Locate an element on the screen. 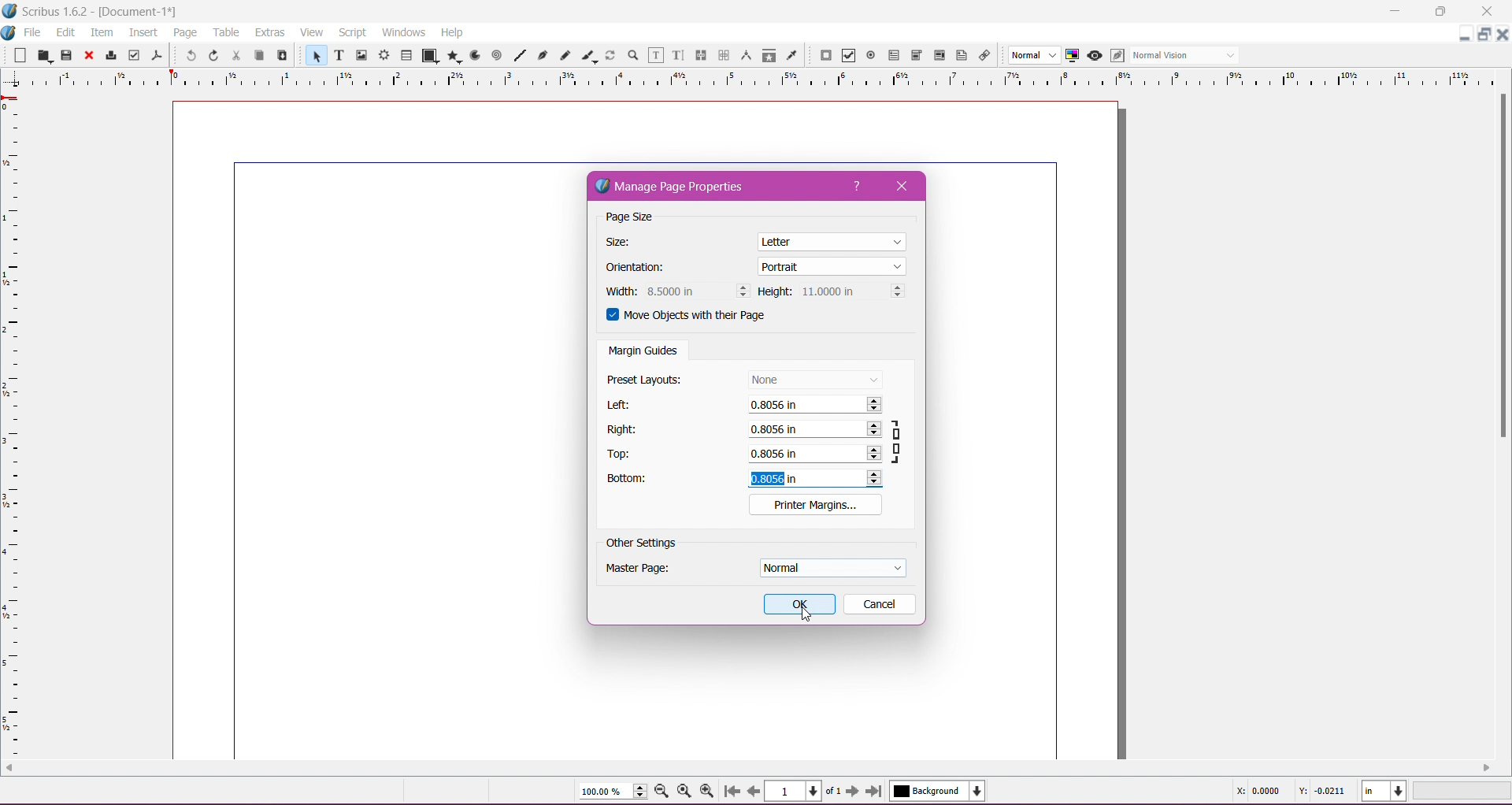 This screenshot has height=805, width=1512. Select the image preview quality is located at coordinates (1032, 55).